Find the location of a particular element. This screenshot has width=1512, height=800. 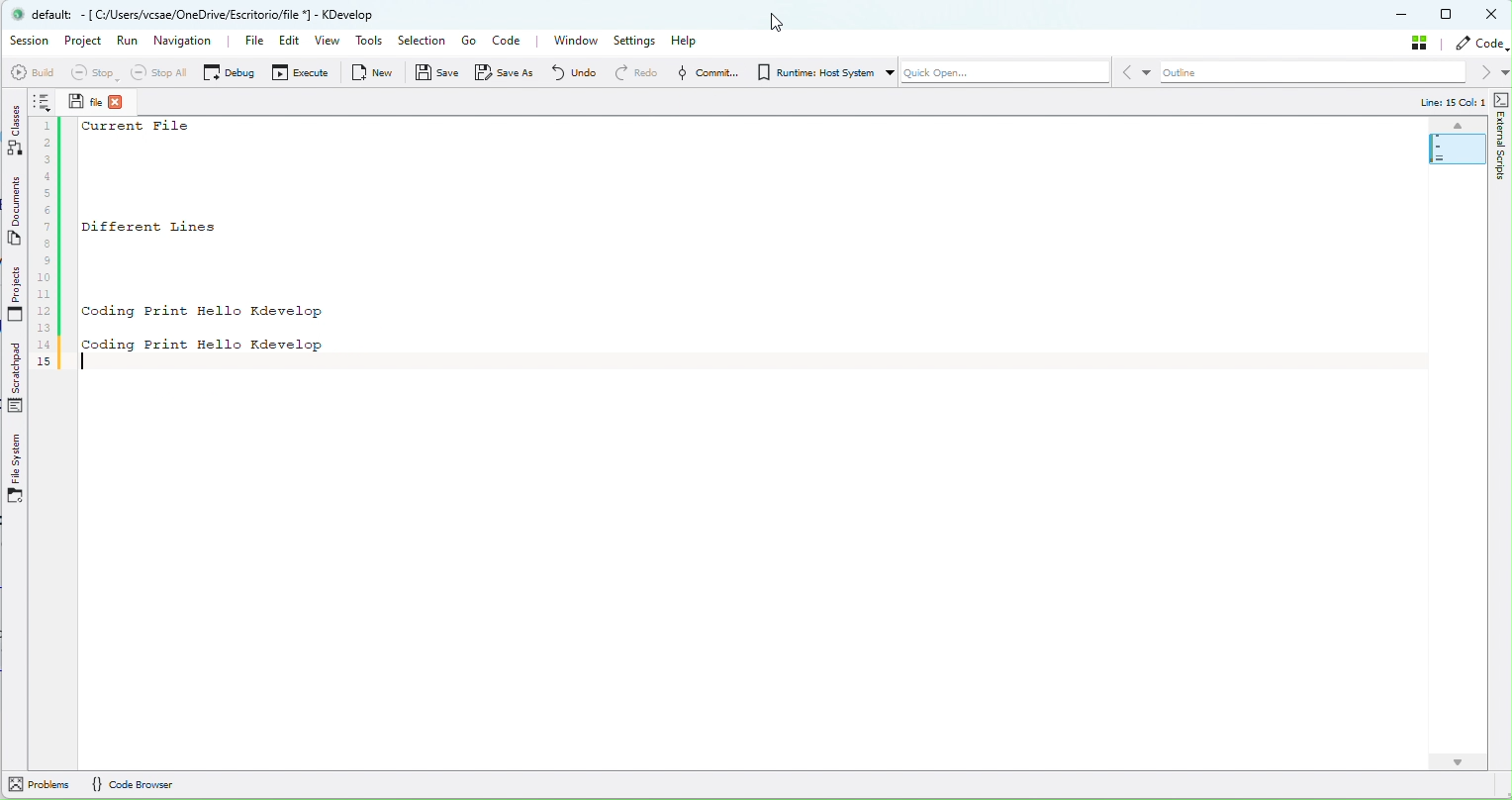

New is located at coordinates (376, 72).